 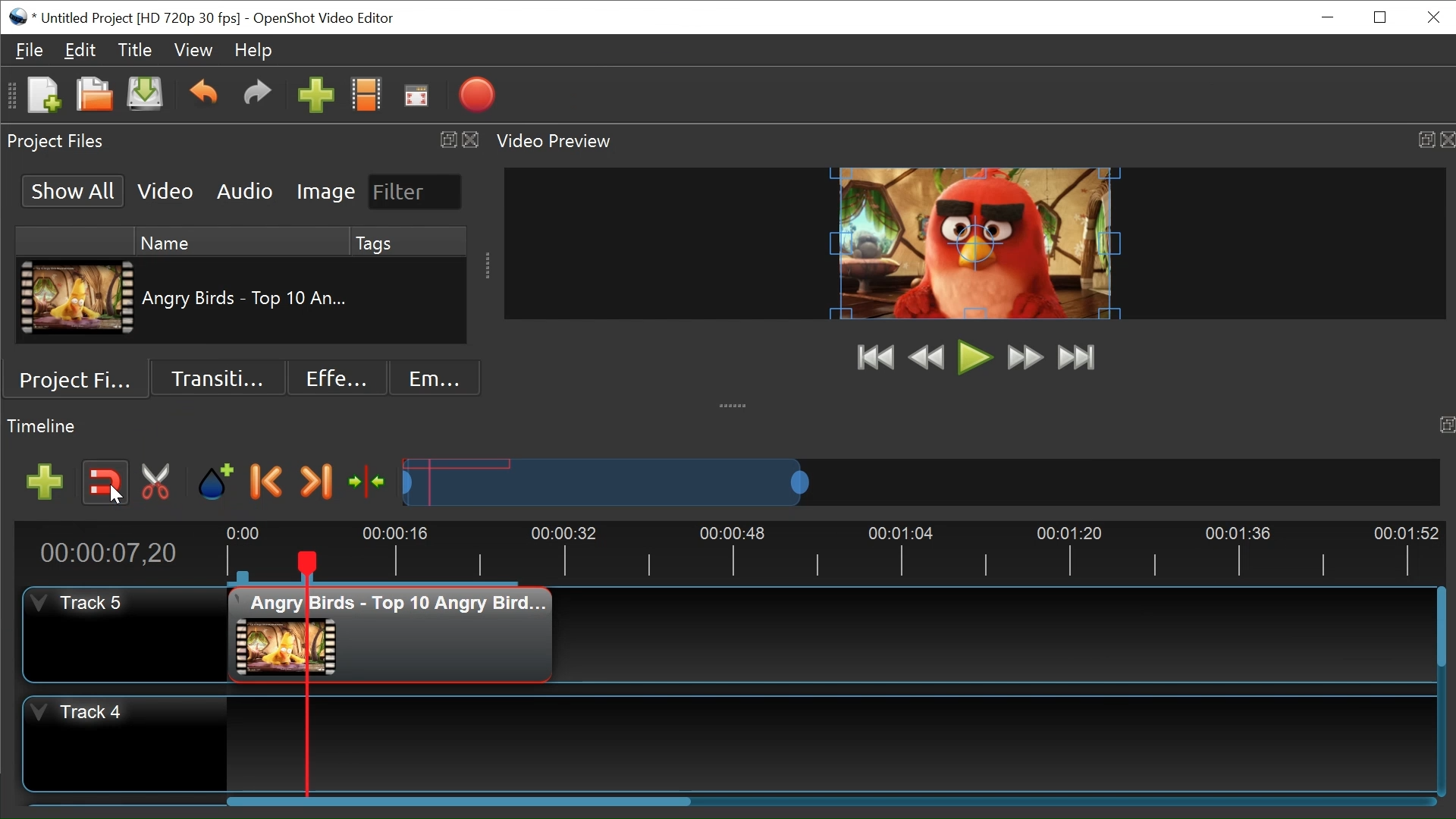 I want to click on Clip, so click(x=76, y=300).